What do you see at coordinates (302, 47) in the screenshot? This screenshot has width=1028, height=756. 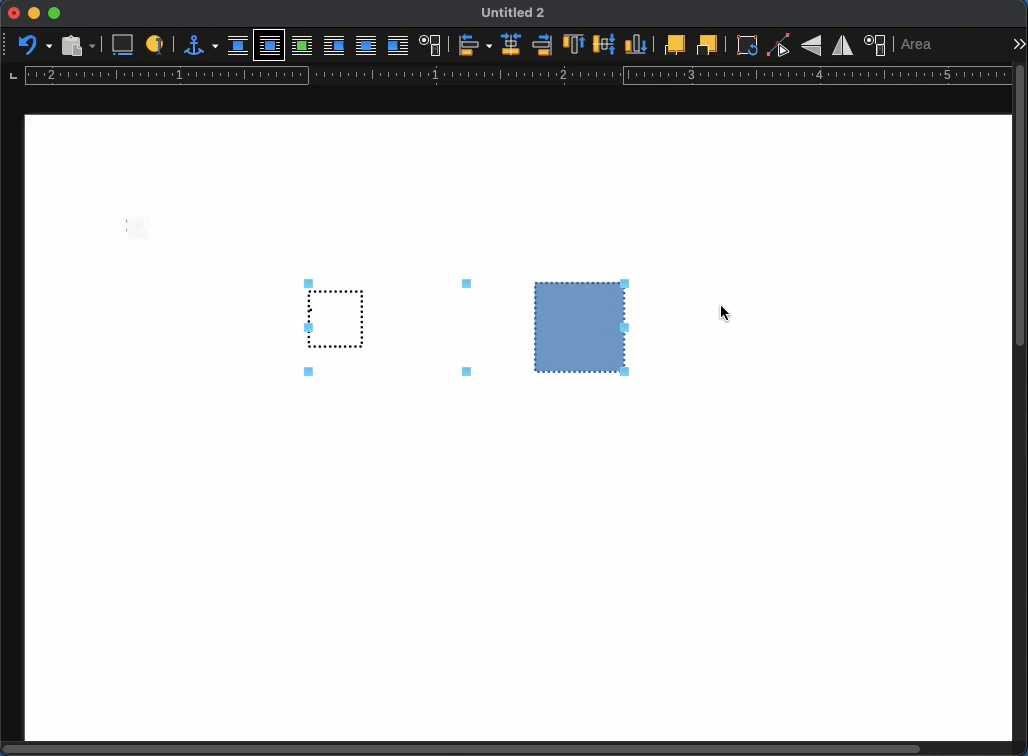 I see `optimal` at bounding box center [302, 47].